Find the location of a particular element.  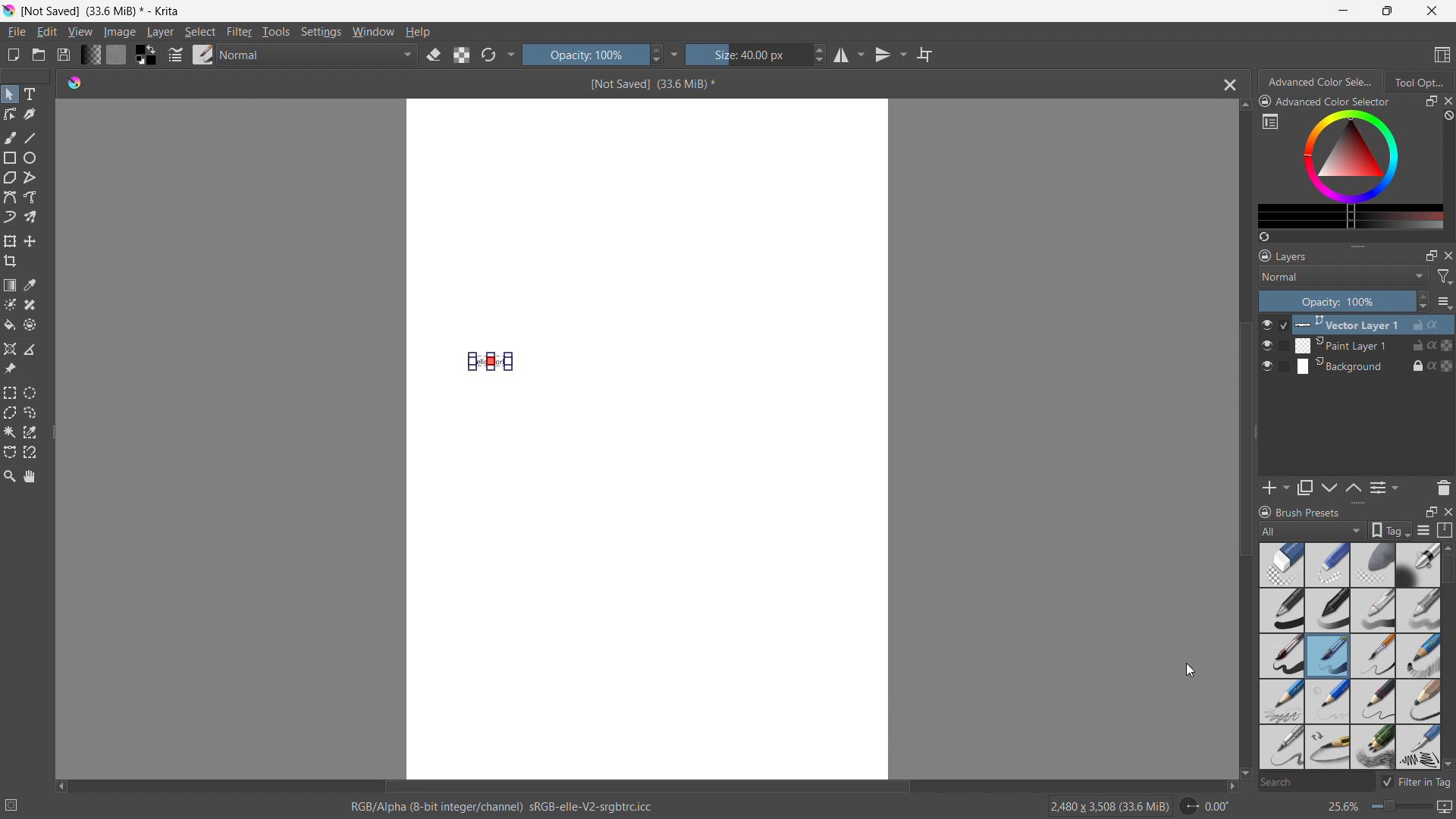

blending mode is located at coordinates (1344, 276).